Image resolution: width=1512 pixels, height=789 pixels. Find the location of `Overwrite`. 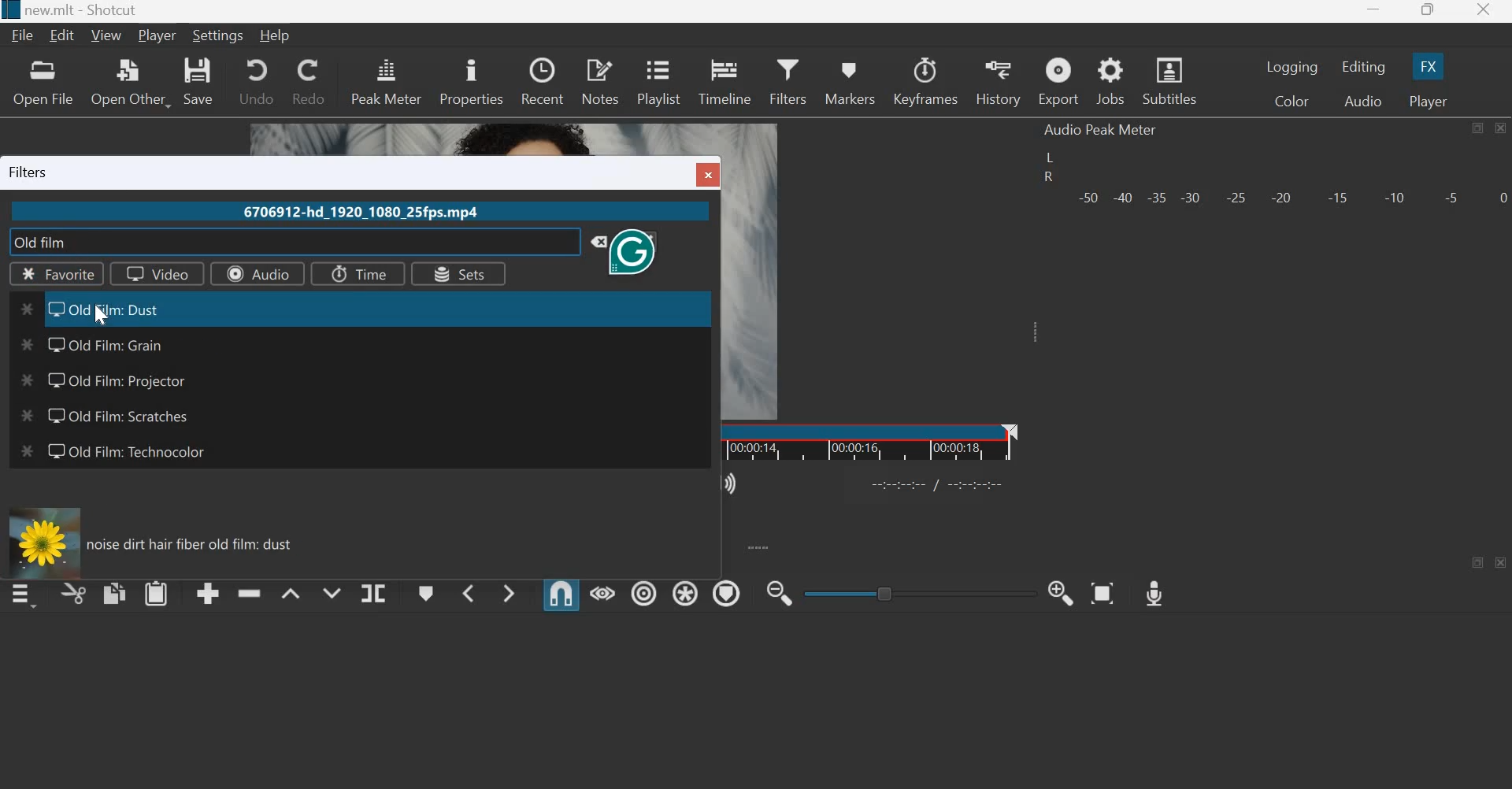

Overwrite is located at coordinates (329, 591).